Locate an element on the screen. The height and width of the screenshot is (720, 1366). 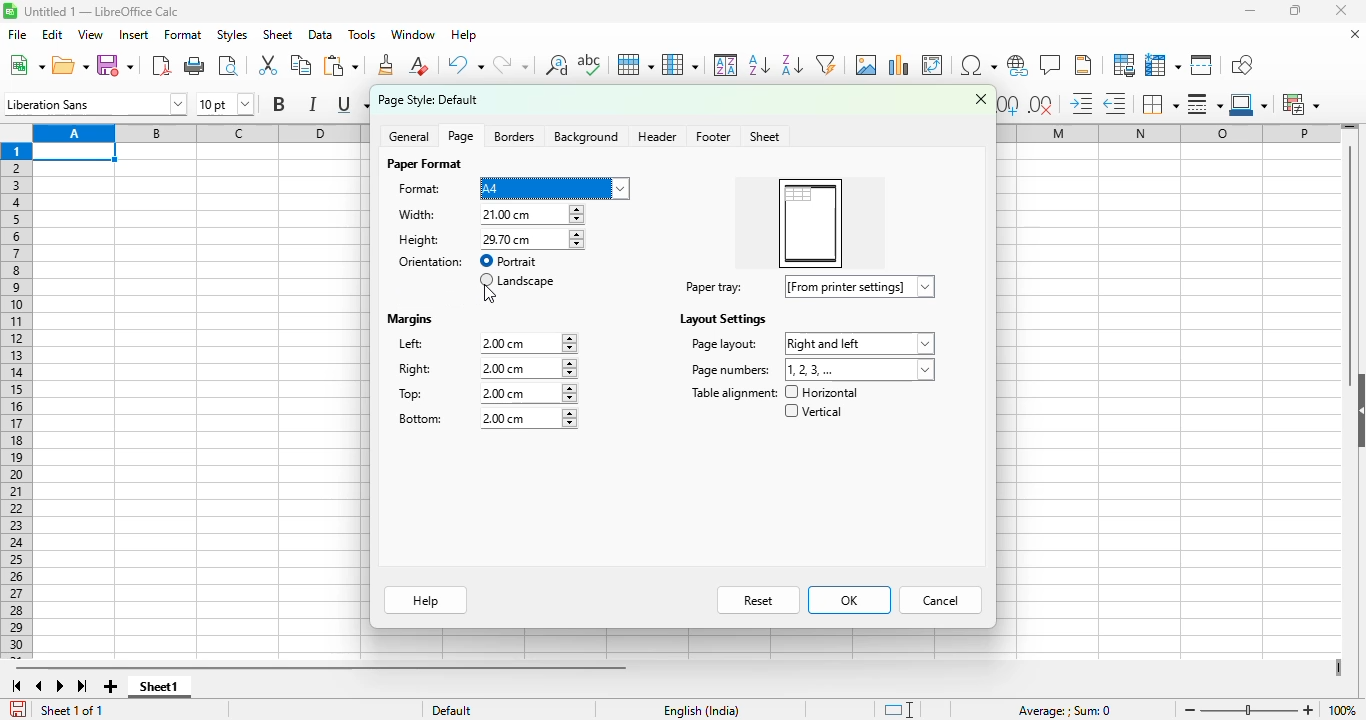
font name is located at coordinates (95, 103).